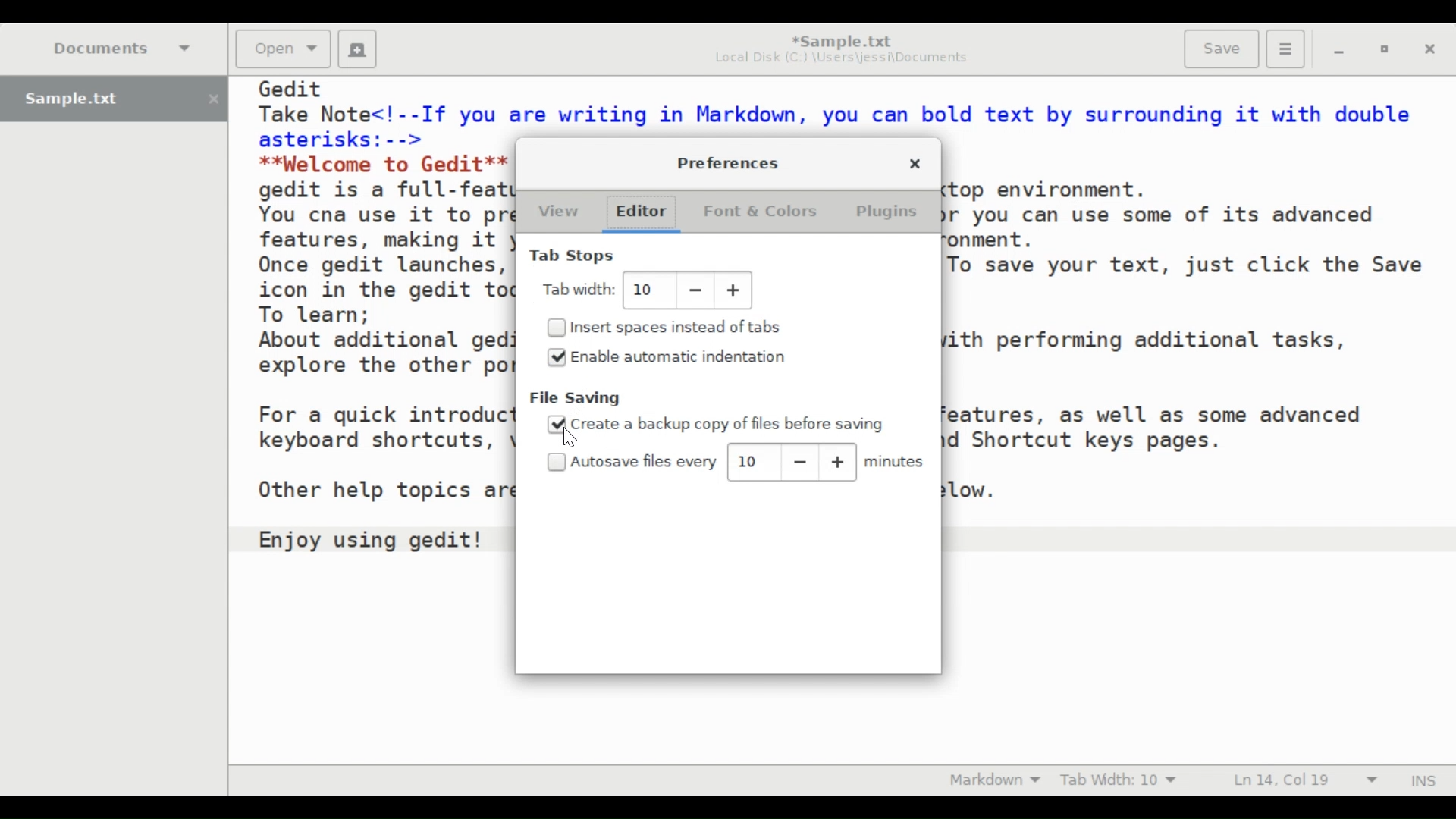 The height and width of the screenshot is (819, 1456). I want to click on (un)select Enable automatic indentation, so click(680, 356).